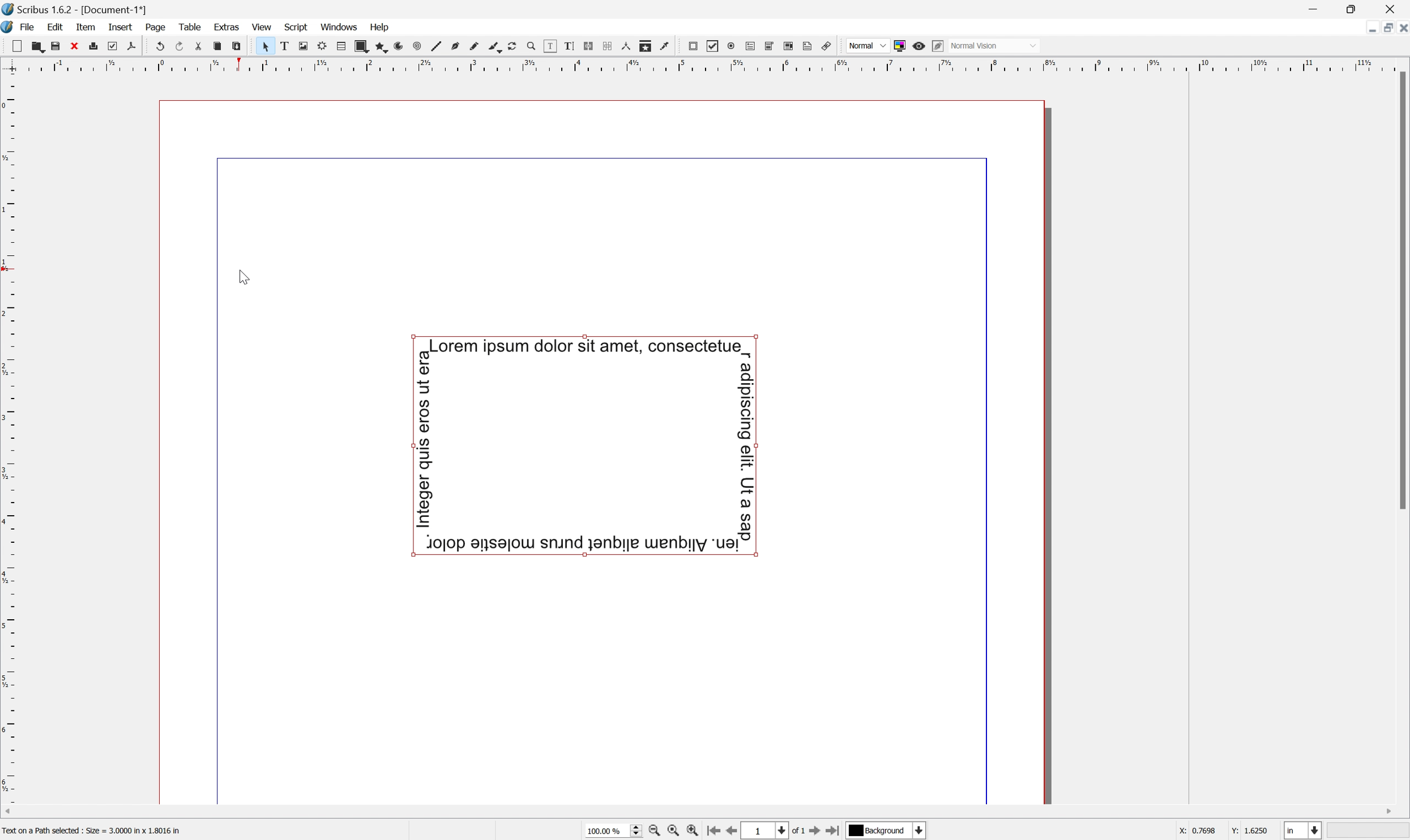 This screenshot has height=840, width=1410. I want to click on Eye dropper, so click(666, 46).